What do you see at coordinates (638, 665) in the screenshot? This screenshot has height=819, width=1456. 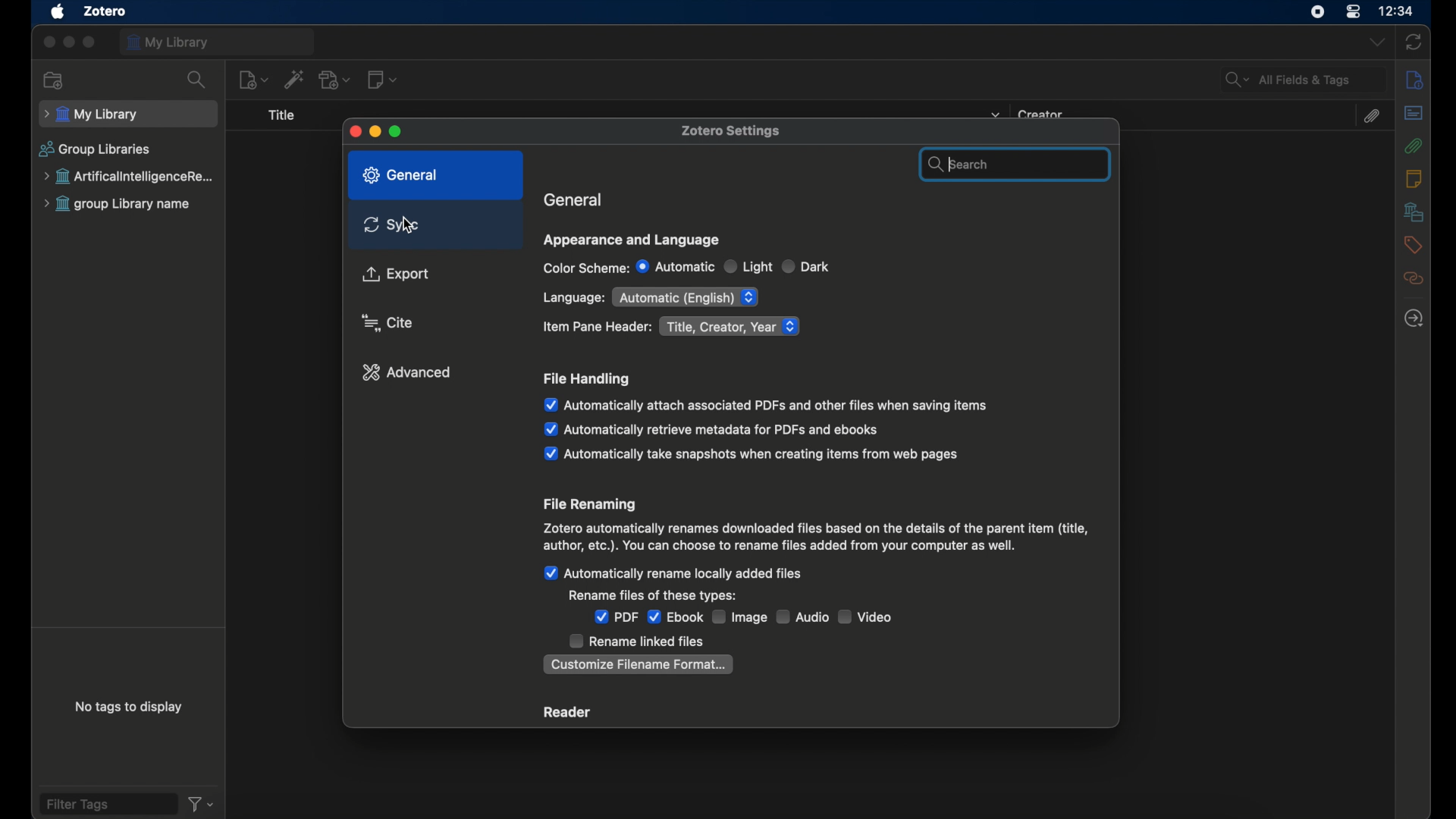 I see `customize filename format` at bounding box center [638, 665].